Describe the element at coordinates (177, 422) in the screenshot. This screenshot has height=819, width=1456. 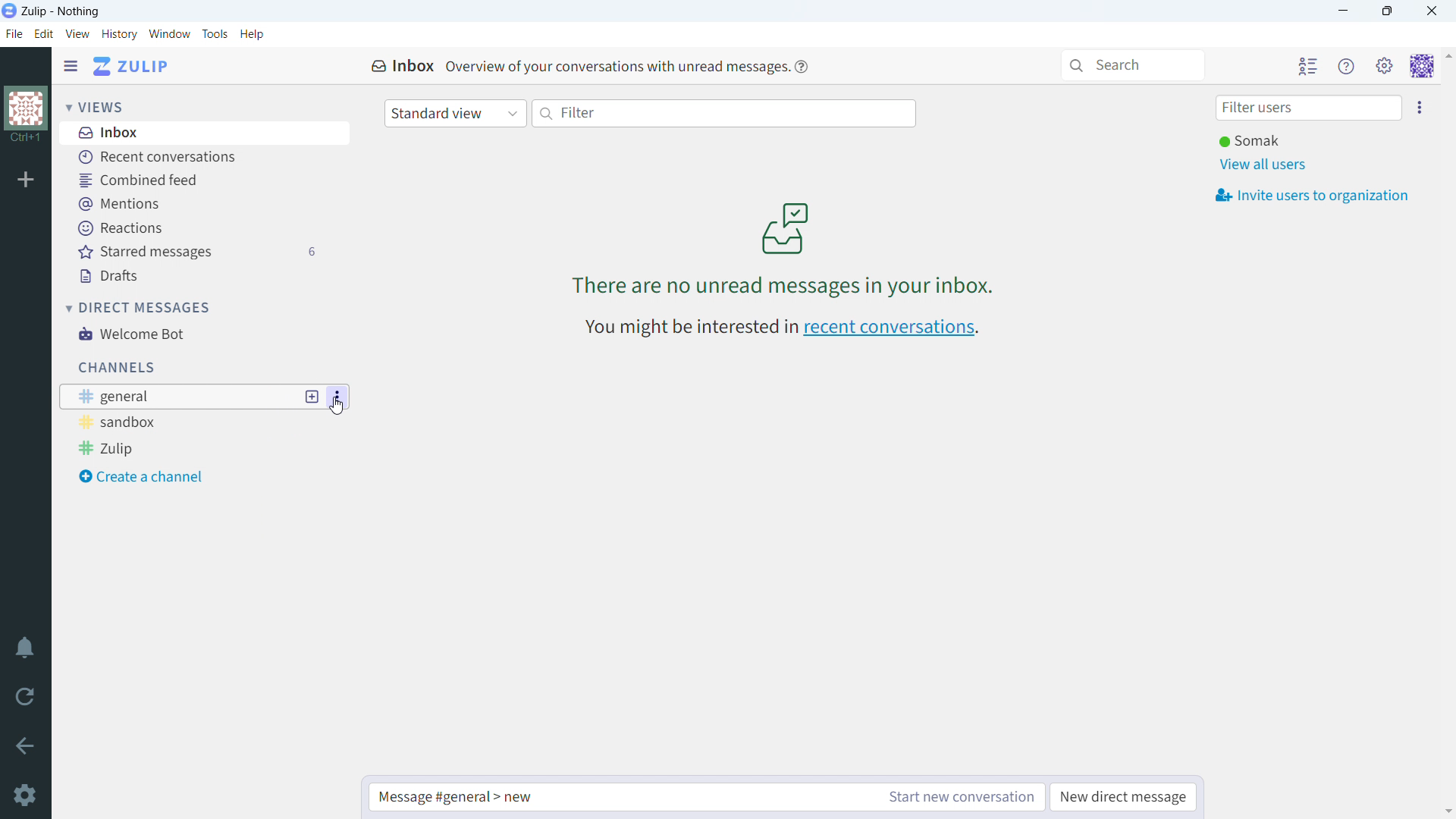
I see `sandbox` at that location.